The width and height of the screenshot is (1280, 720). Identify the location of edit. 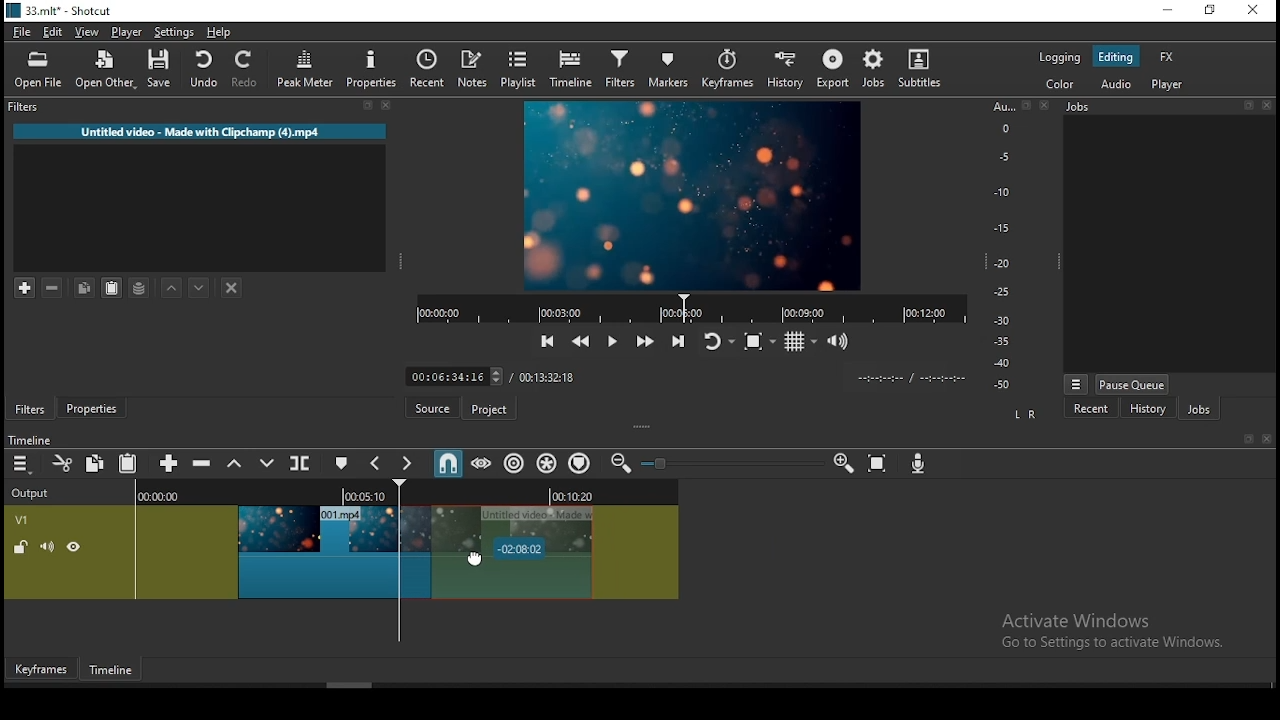
(54, 34).